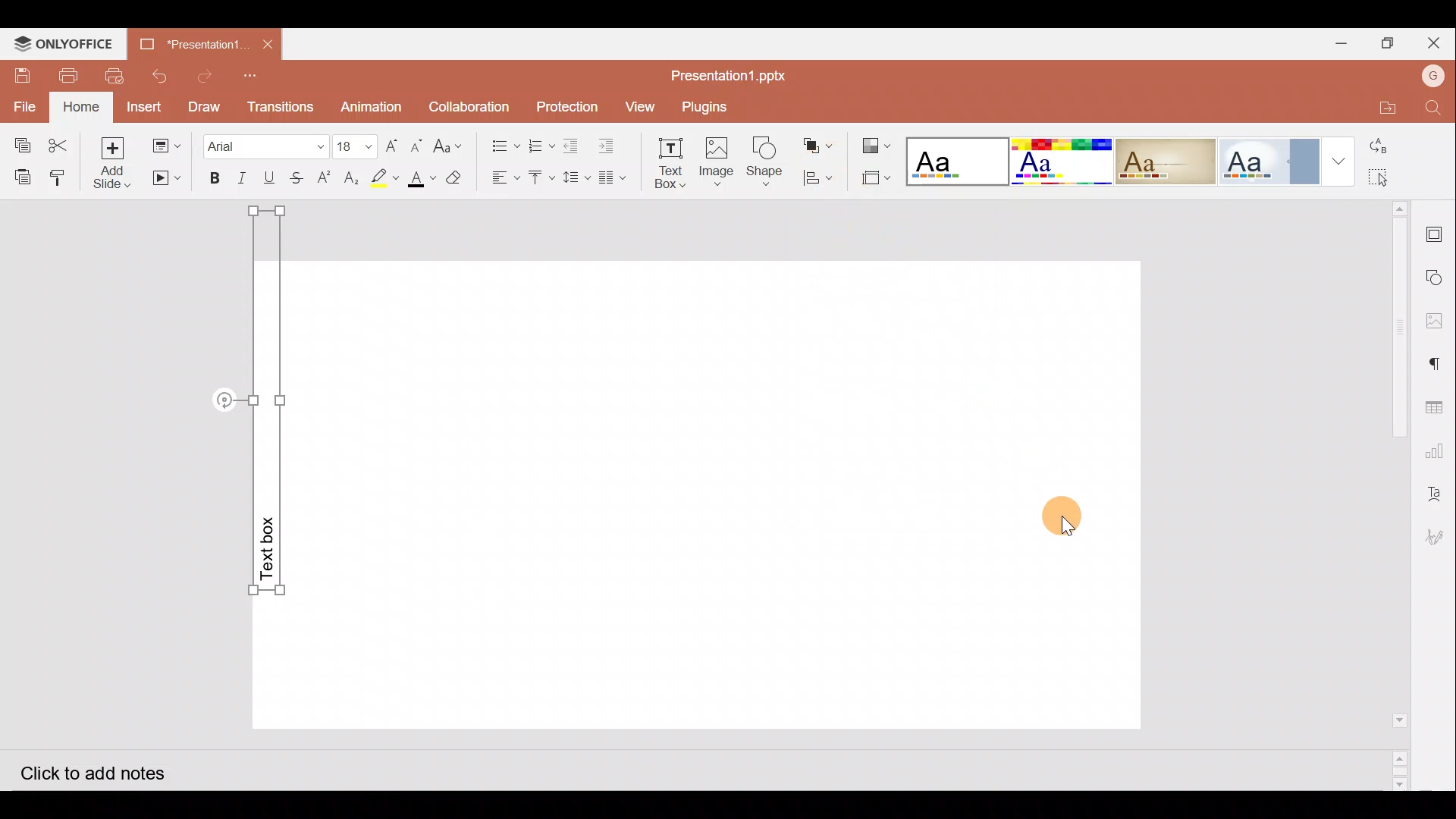 This screenshot has height=819, width=1456. What do you see at coordinates (278, 106) in the screenshot?
I see `Transitions` at bounding box center [278, 106].